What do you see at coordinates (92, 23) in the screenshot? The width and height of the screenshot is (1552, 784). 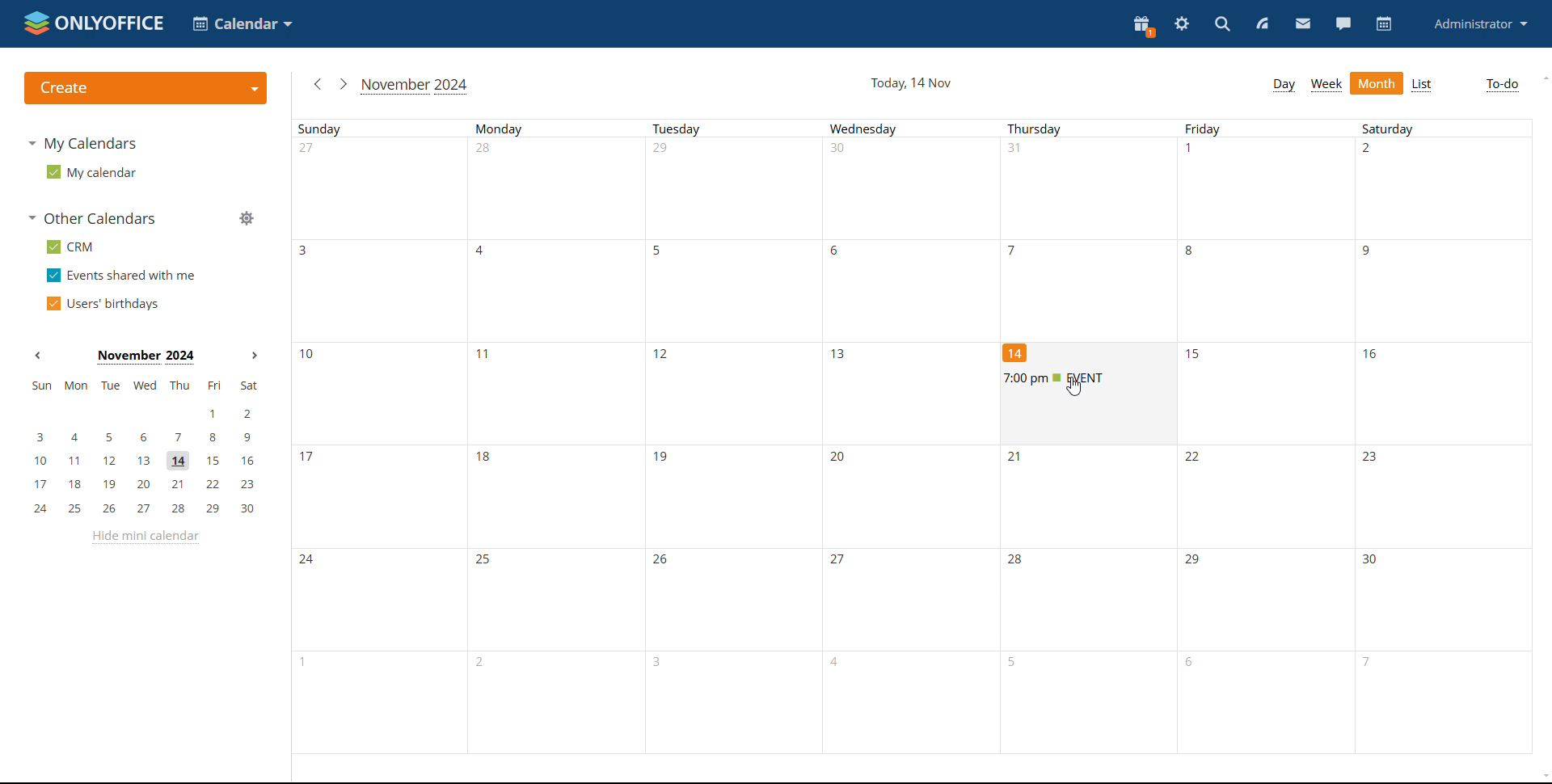 I see `logo` at bounding box center [92, 23].